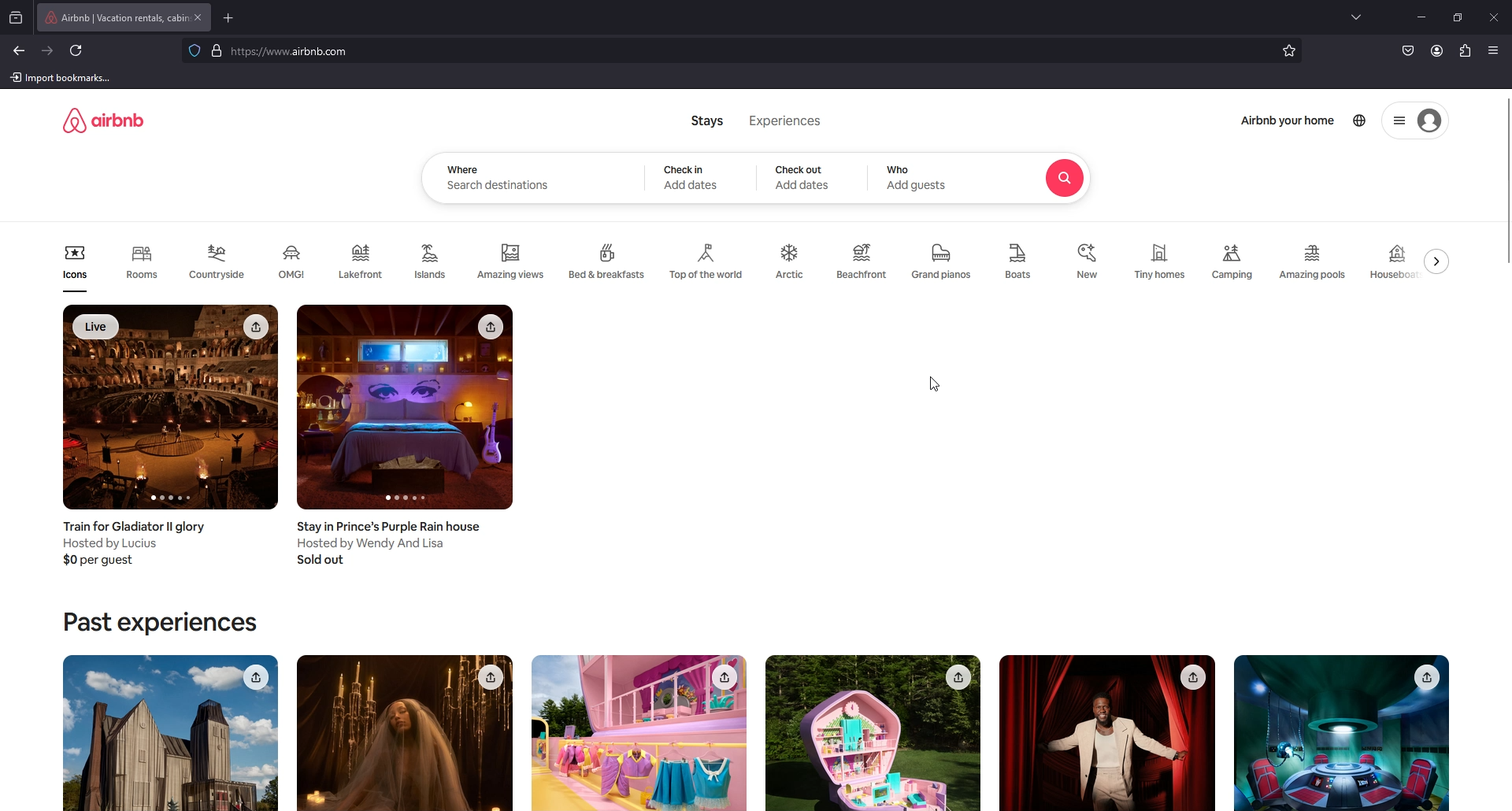 Image resolution: width=1512 pixels, height=811 pixels. I want to click on save to pocket, so click(1408, 52).